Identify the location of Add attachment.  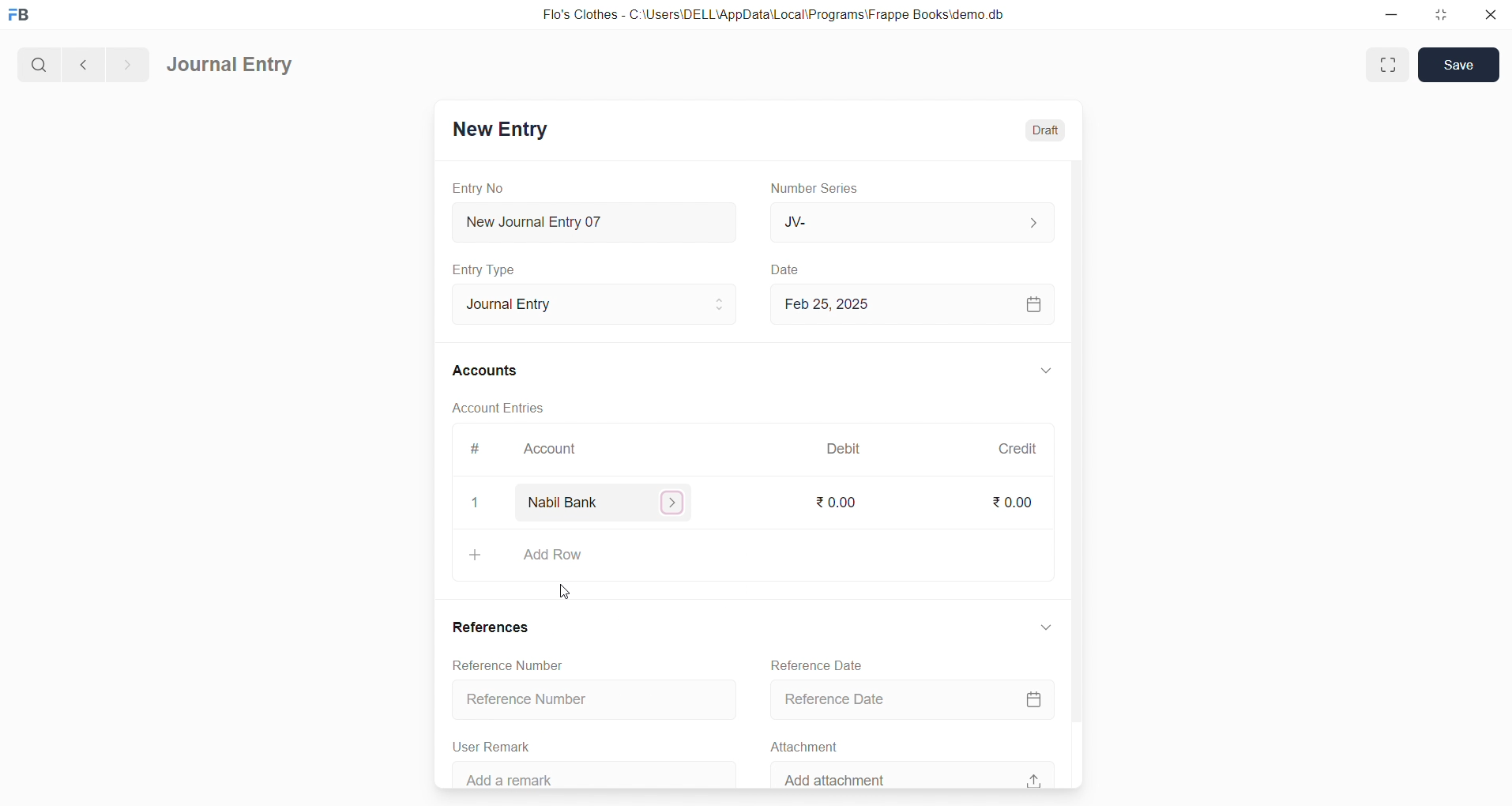
(912, 774).